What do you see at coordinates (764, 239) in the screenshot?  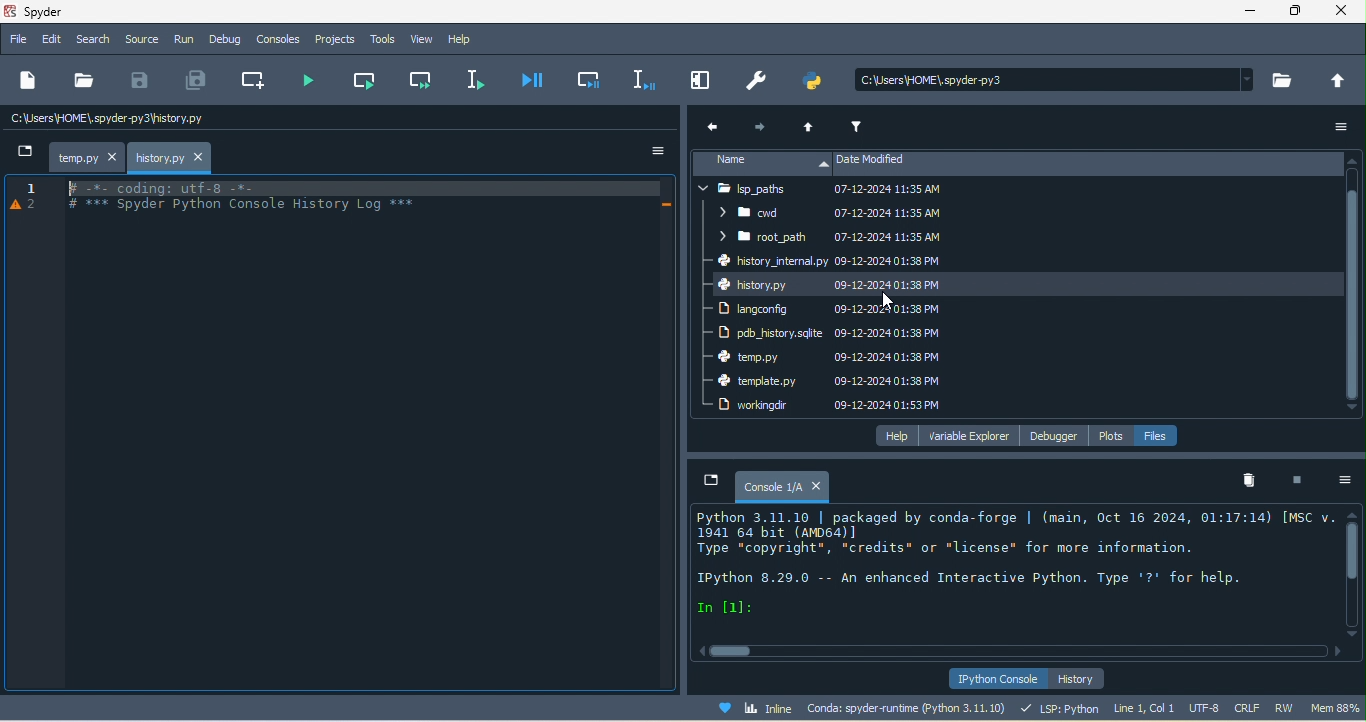 I see `root path` at bounding box center [764, 239].